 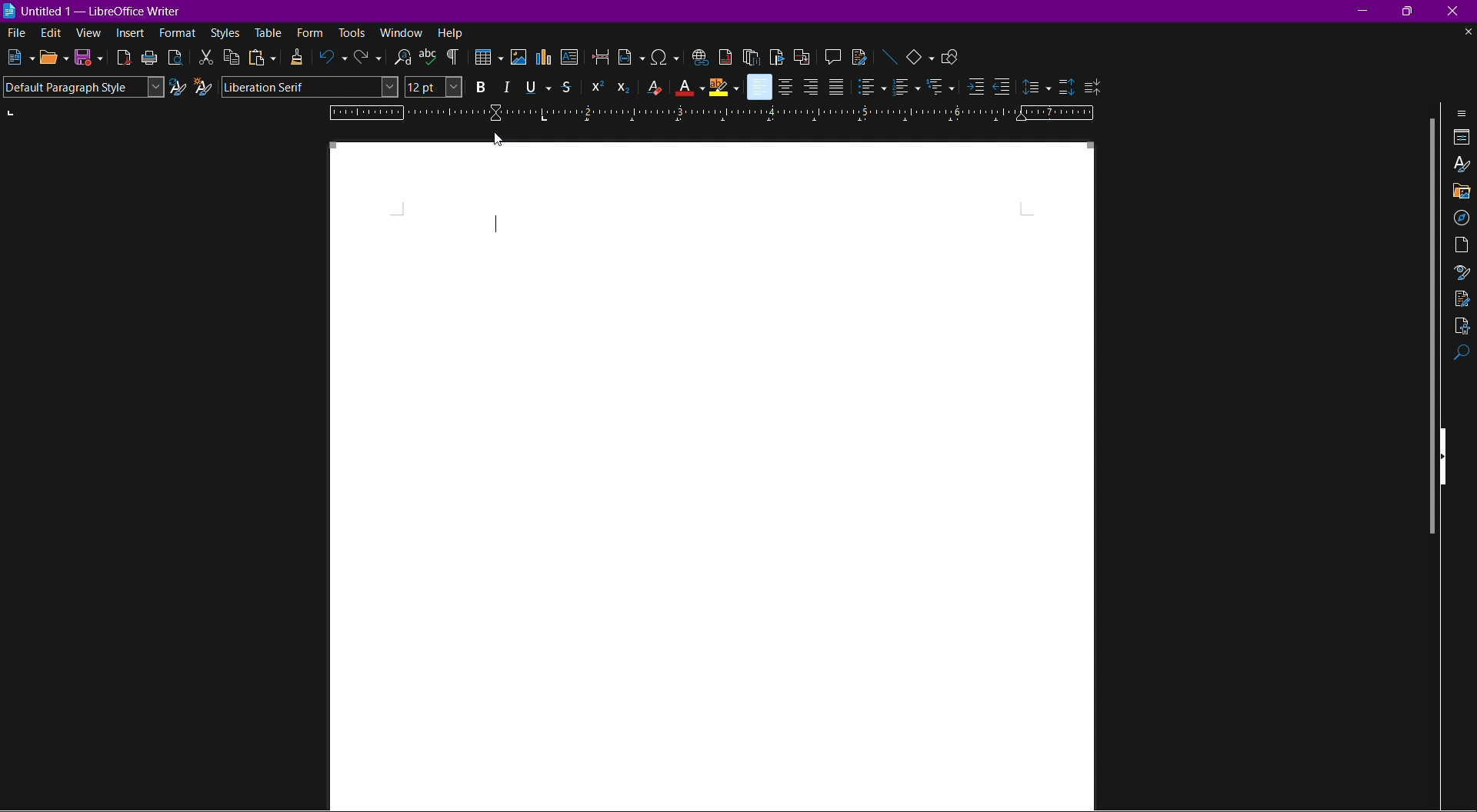 I want to click on Decrease Spacing, so click(x=1092, y=85).